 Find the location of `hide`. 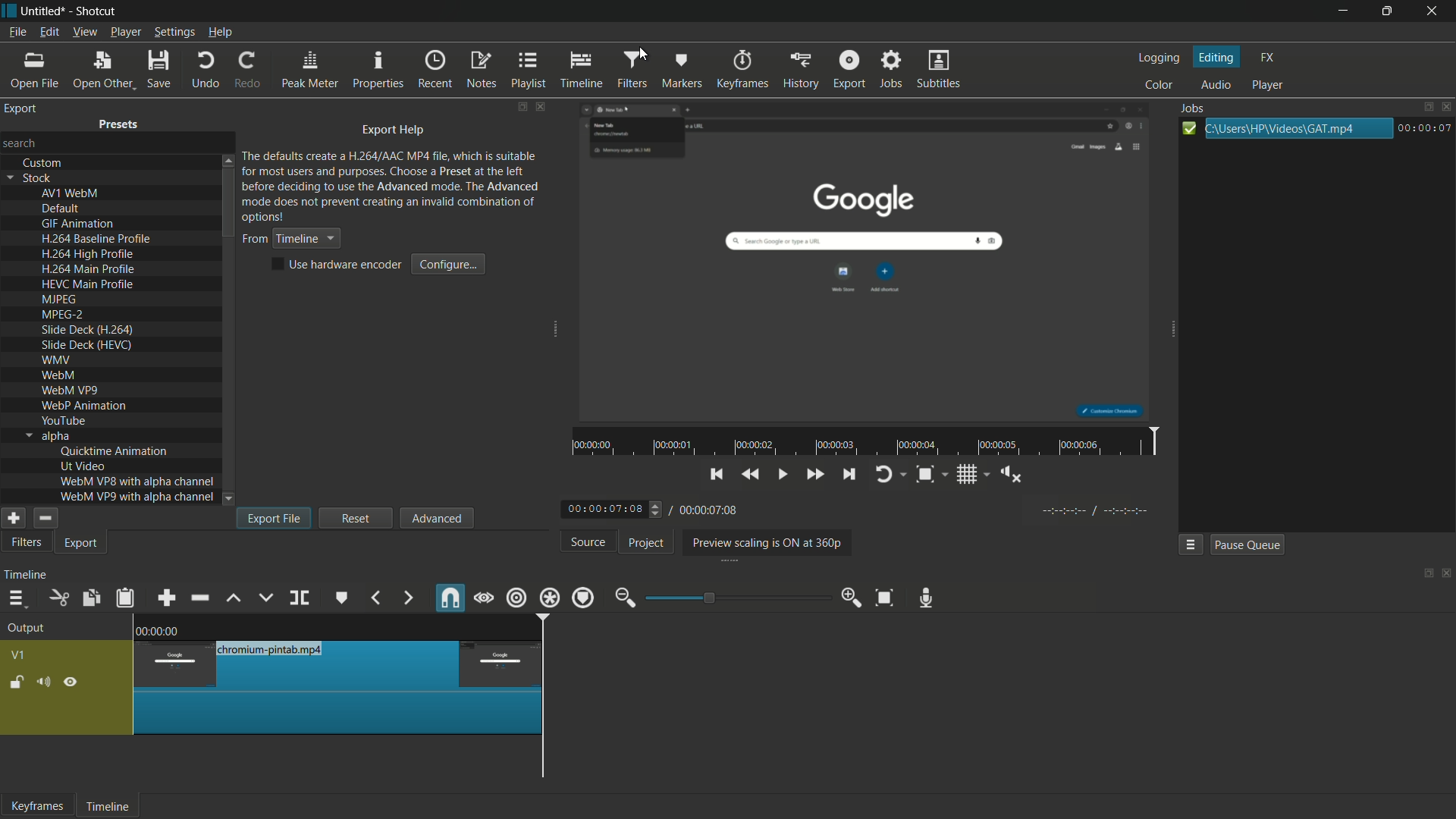

hide is located at coordinates (71, 685).